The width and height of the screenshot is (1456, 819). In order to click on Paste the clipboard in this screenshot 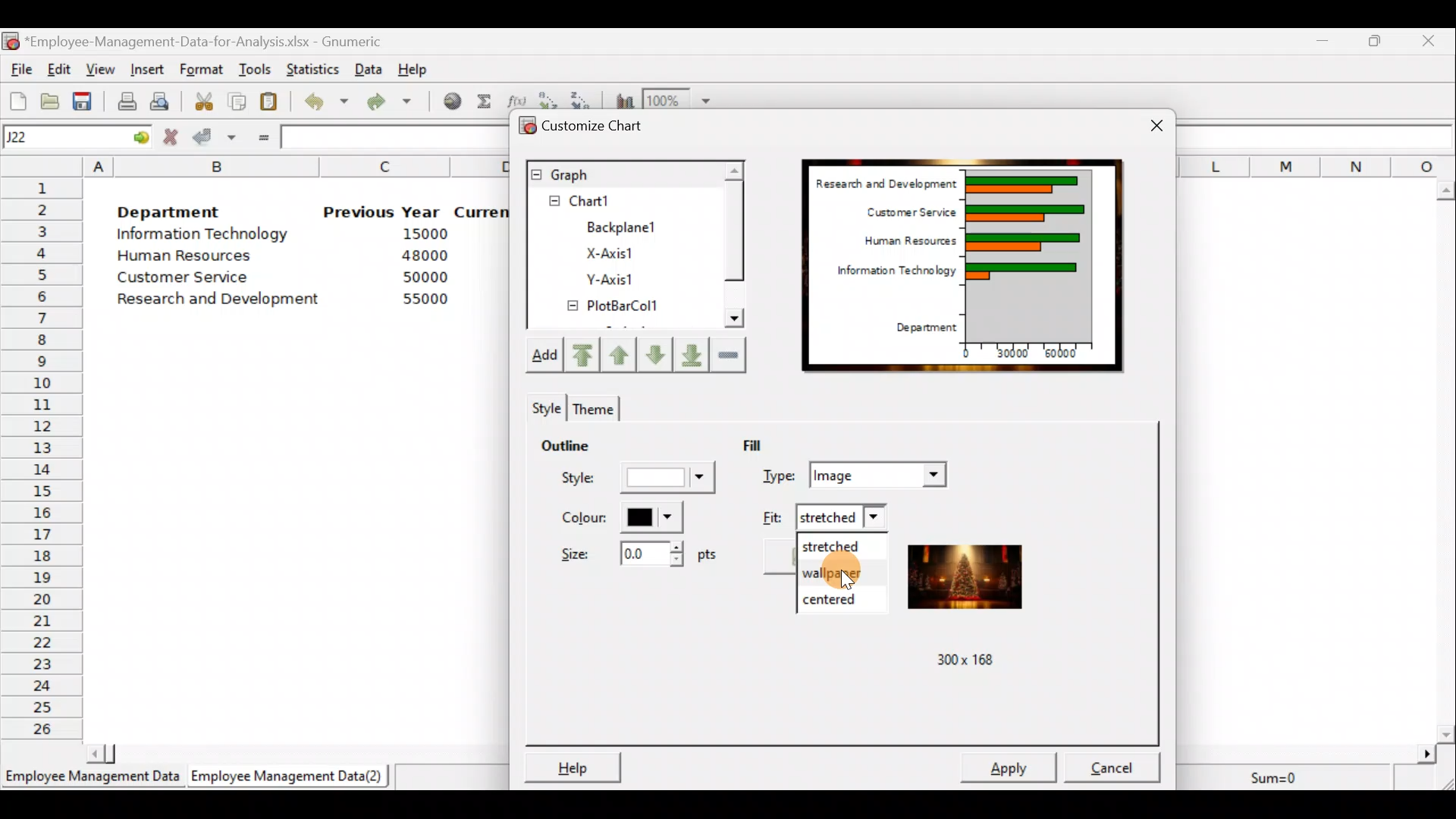, I will do `click(273, 103)`.